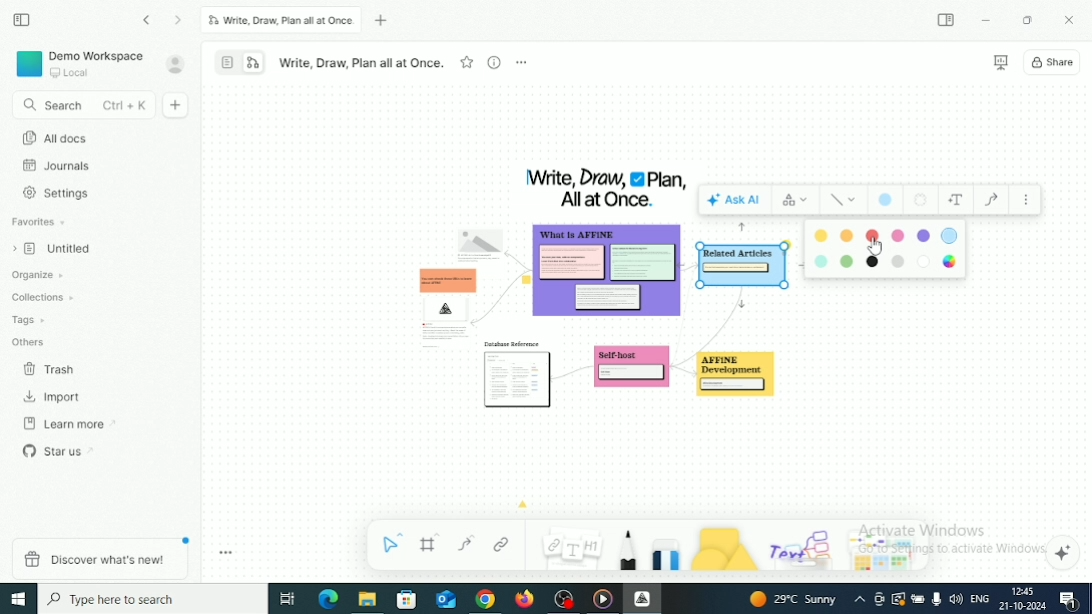  What do you see at coordinates (642, 598) in the screenshot?
I see `Affine` at bounding box center [642, 598].